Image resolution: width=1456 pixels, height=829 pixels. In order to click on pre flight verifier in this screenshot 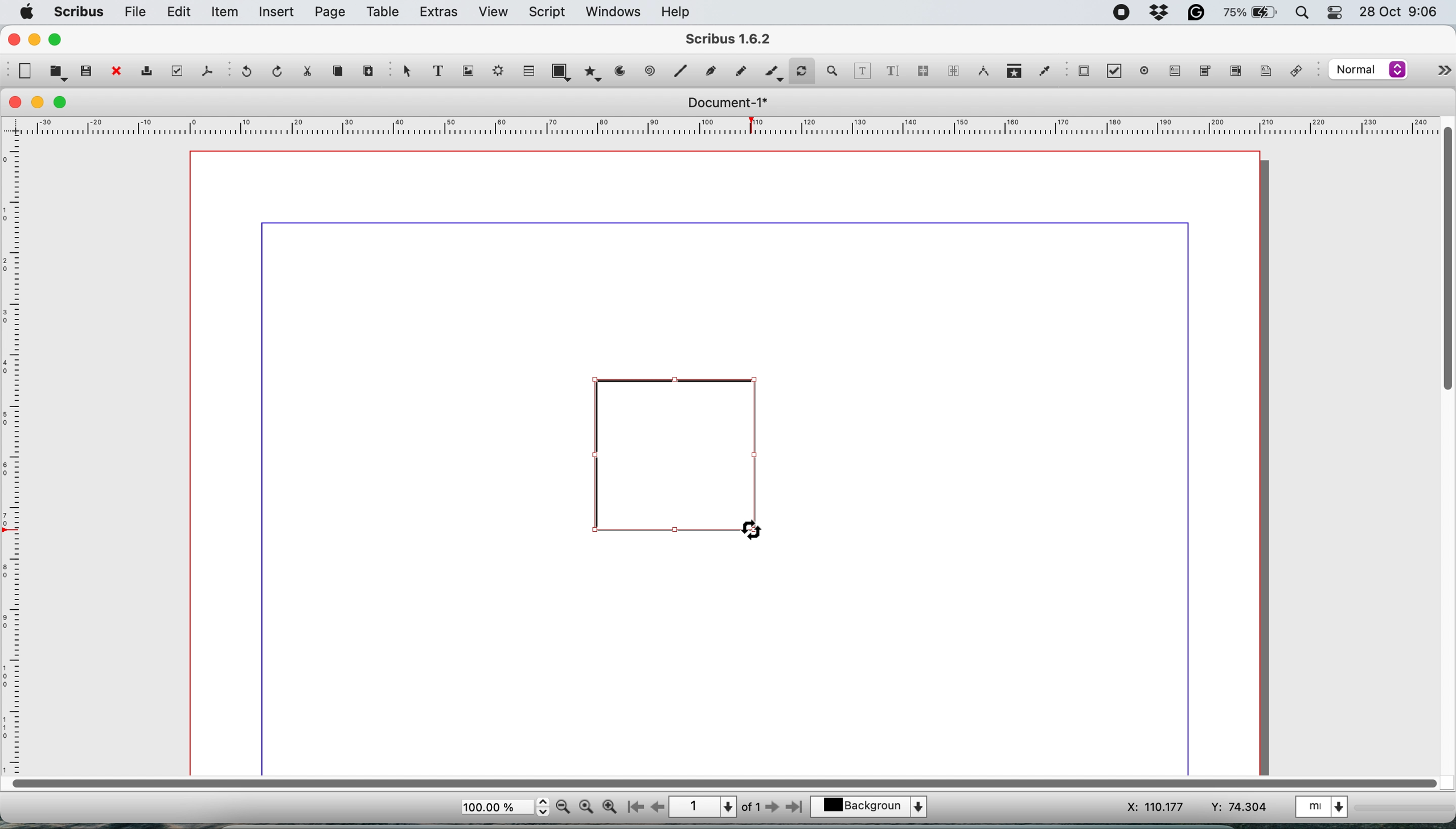, I will do `click(178, 72)`.